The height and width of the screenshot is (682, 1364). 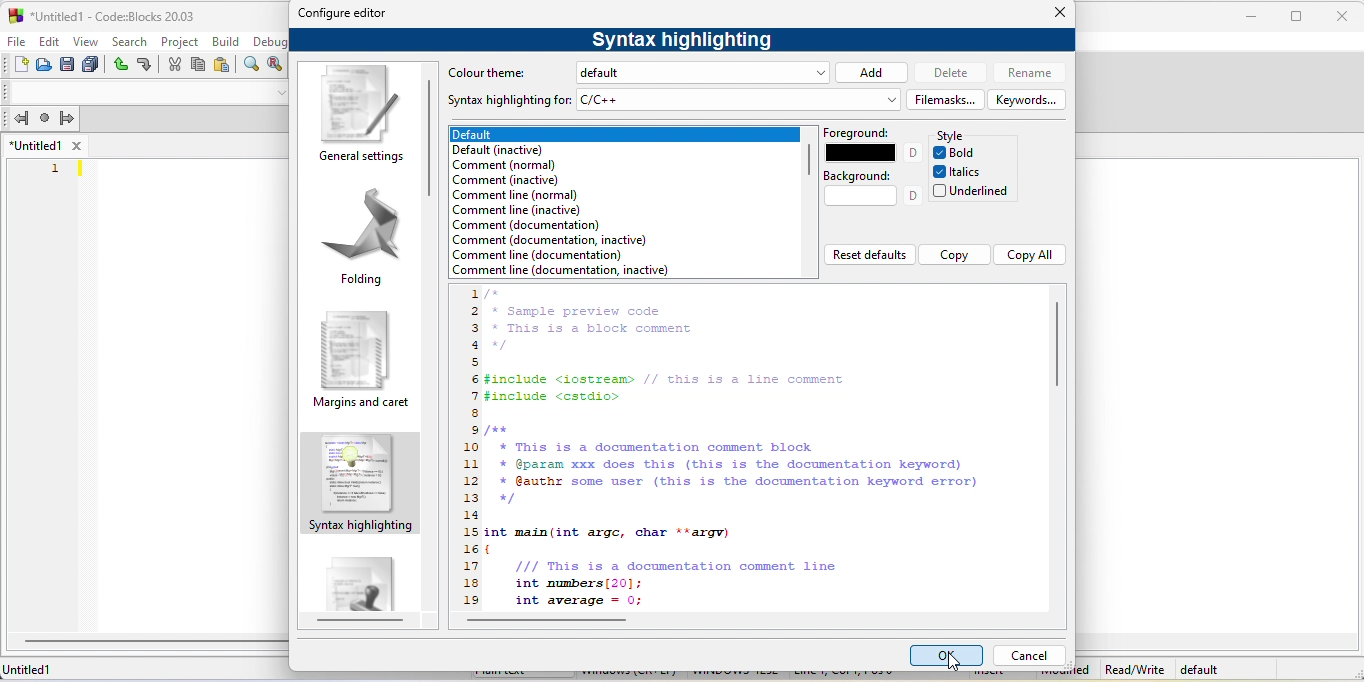 What do you see at coordinates (1297, 17) in the screenshot?
I see `maximize` at bounding box center [1297, 17].